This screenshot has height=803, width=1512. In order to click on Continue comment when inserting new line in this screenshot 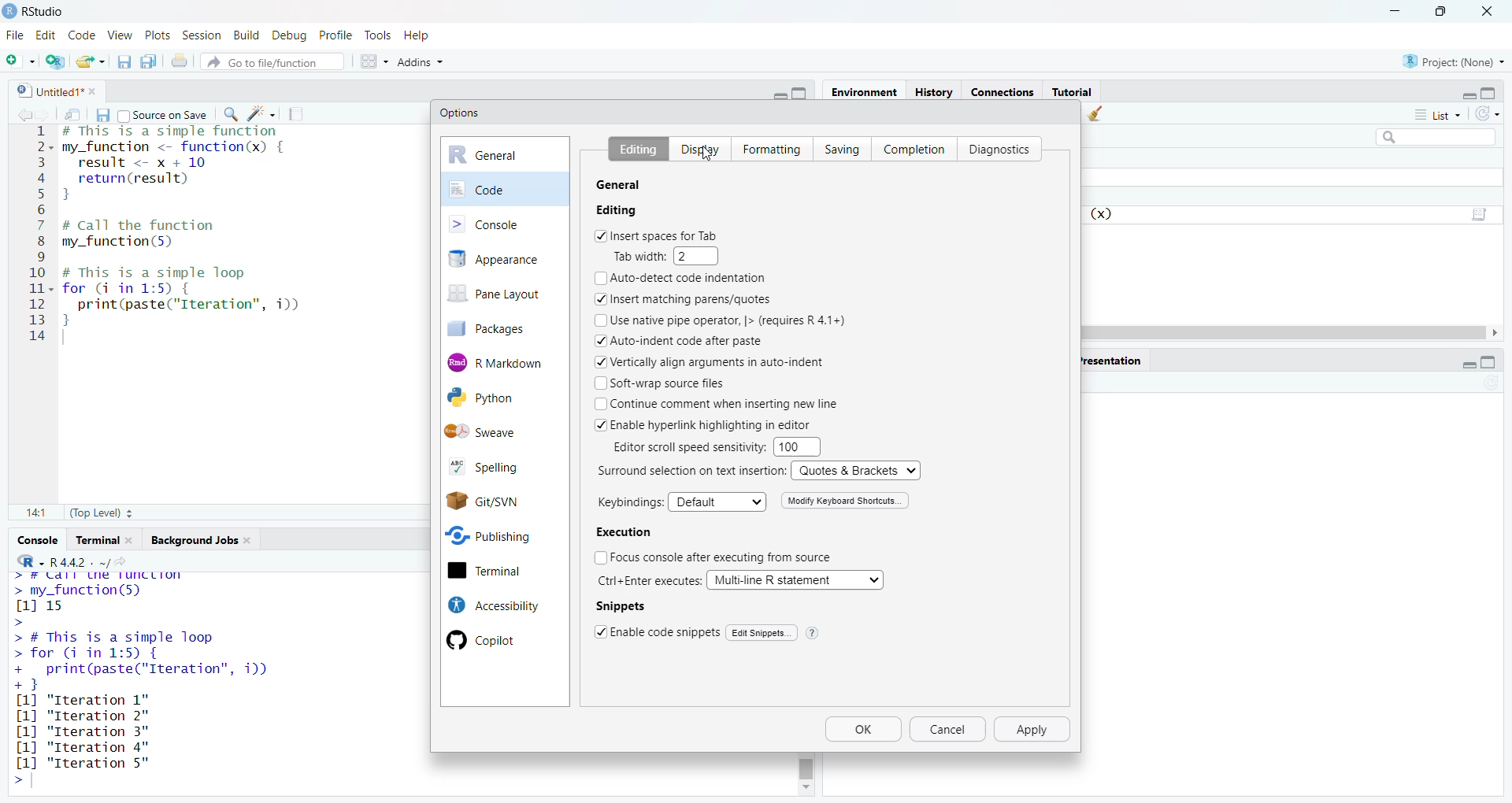, I will do `click(718, 405)`.